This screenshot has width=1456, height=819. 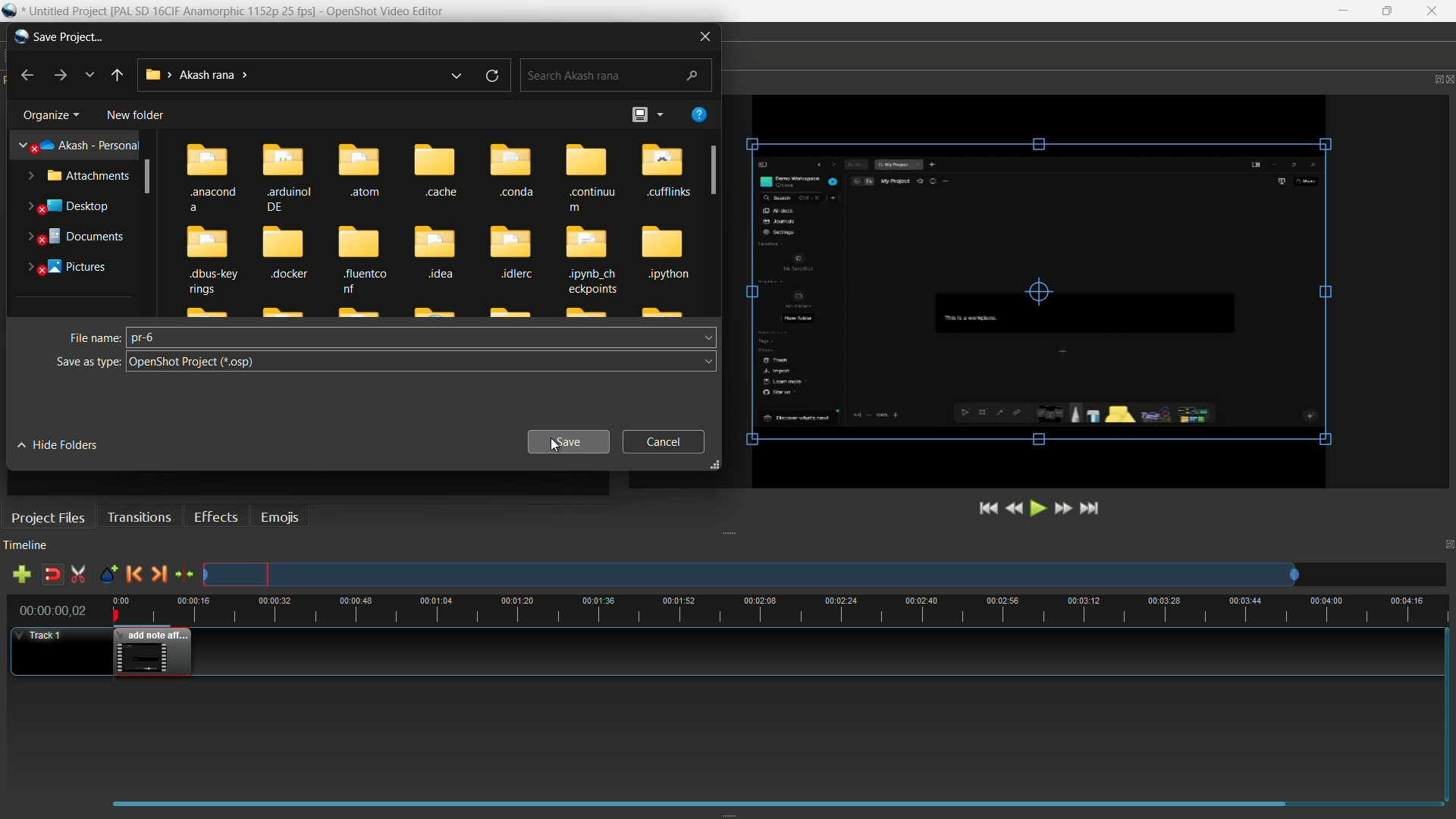 I want to click on add track, so click(x=22, y=575).